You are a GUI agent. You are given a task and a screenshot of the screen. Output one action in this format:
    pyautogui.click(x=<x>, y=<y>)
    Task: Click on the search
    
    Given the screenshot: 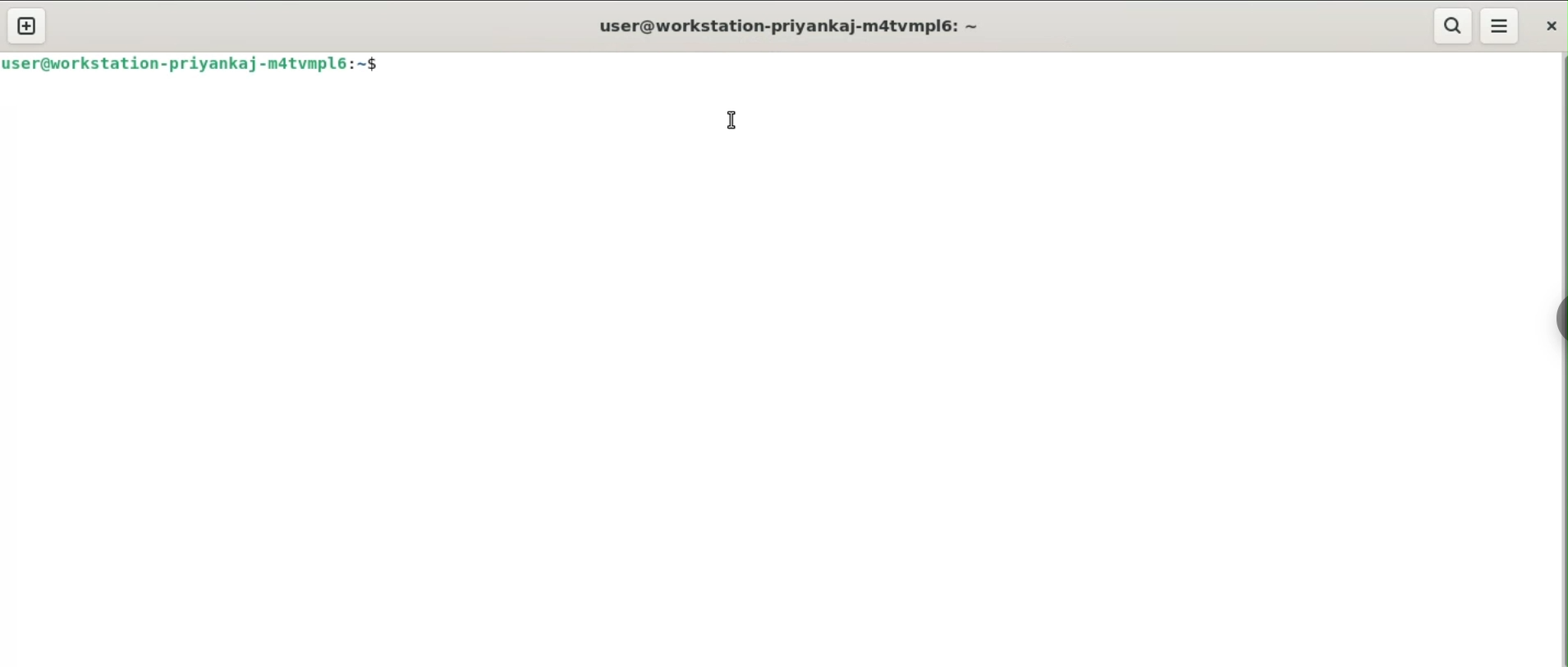 What is the action you would take?
    pyautogui.click(x=1453, y=26)
    